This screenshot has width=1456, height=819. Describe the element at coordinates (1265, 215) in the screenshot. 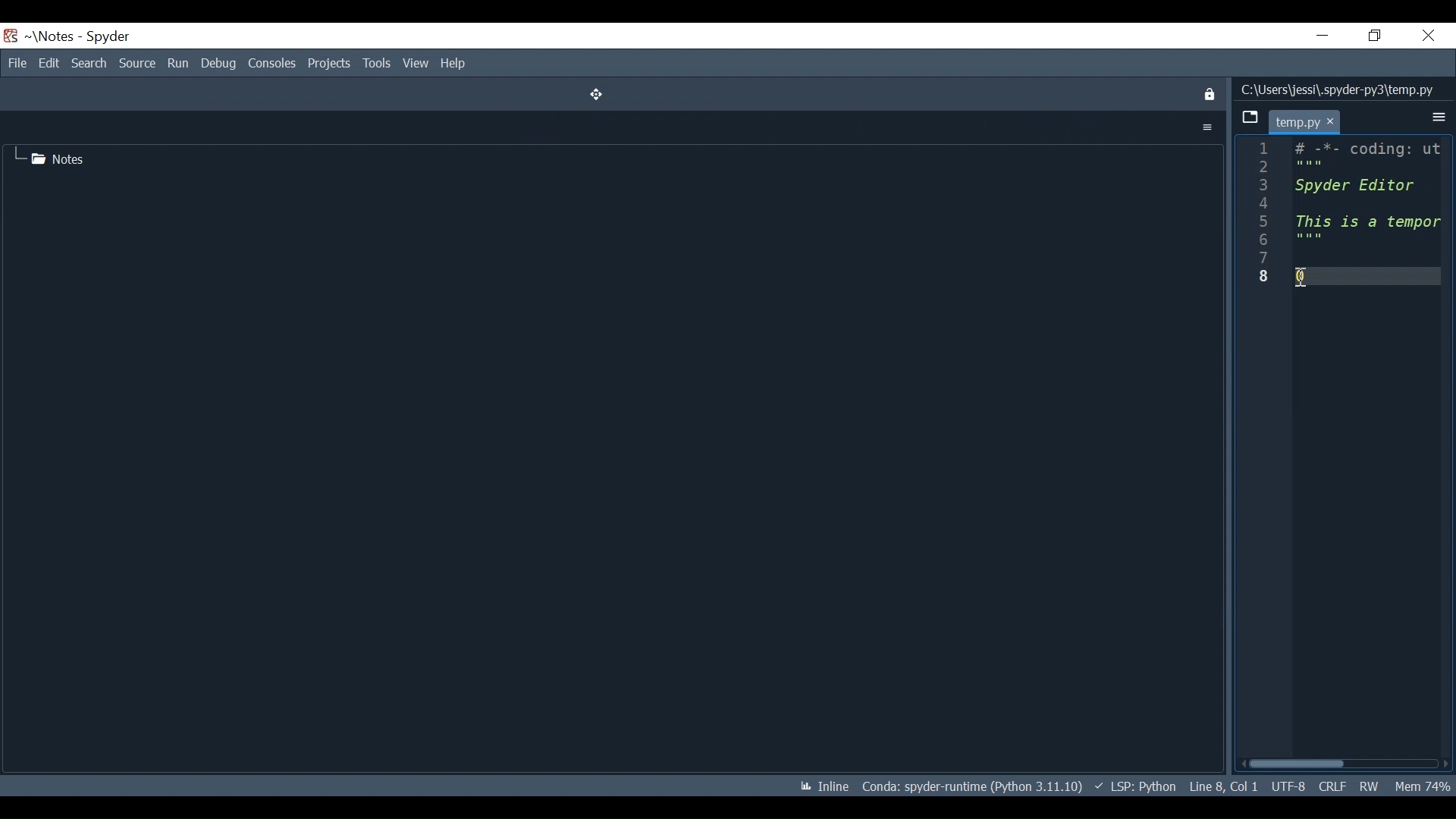

I see `line number` at that location.